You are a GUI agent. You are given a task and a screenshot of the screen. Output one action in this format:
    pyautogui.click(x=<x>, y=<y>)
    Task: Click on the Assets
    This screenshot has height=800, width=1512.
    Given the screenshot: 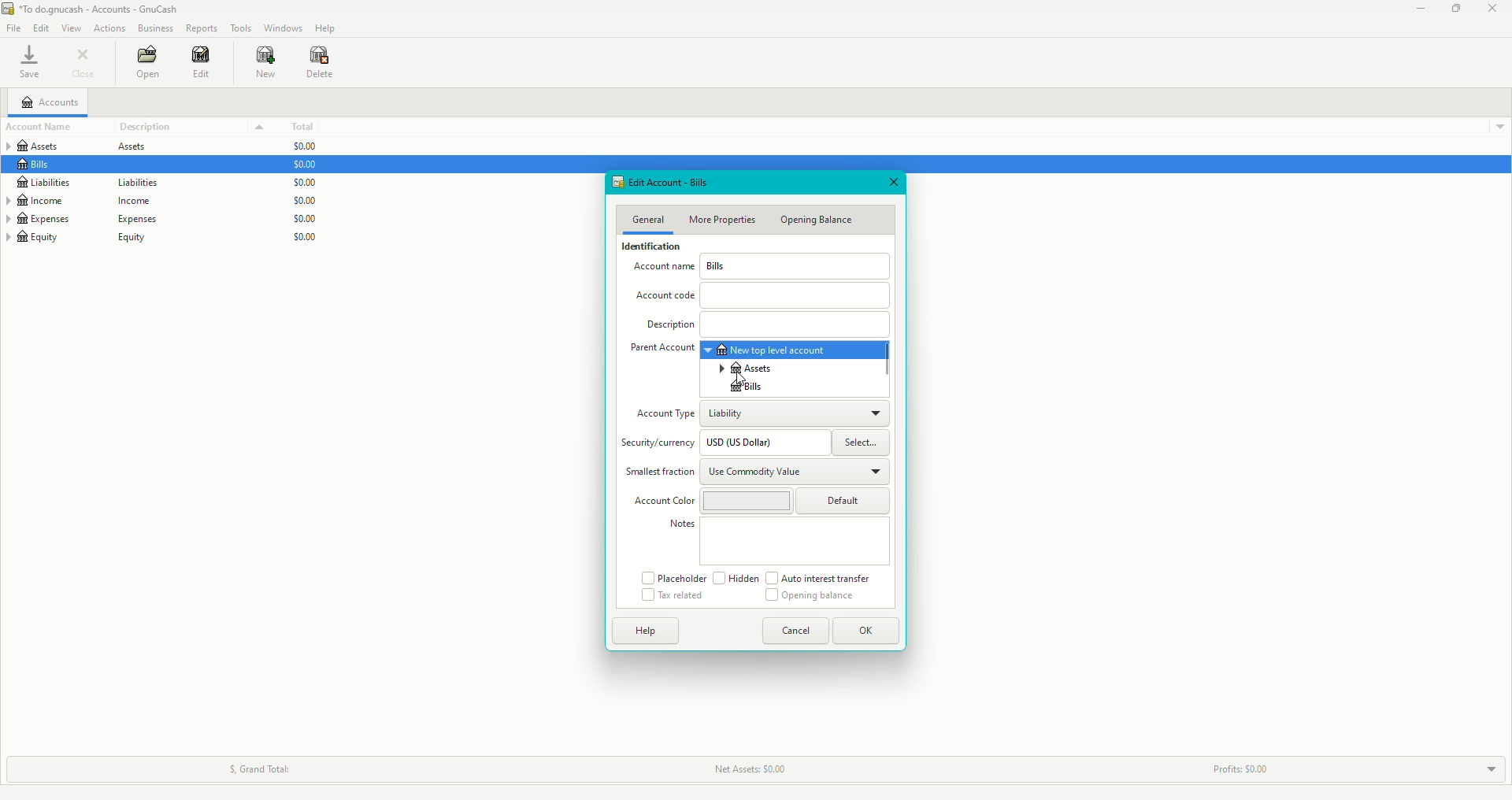 What is the action you would take?
    pyautogui.click(x=748, y=369)
    